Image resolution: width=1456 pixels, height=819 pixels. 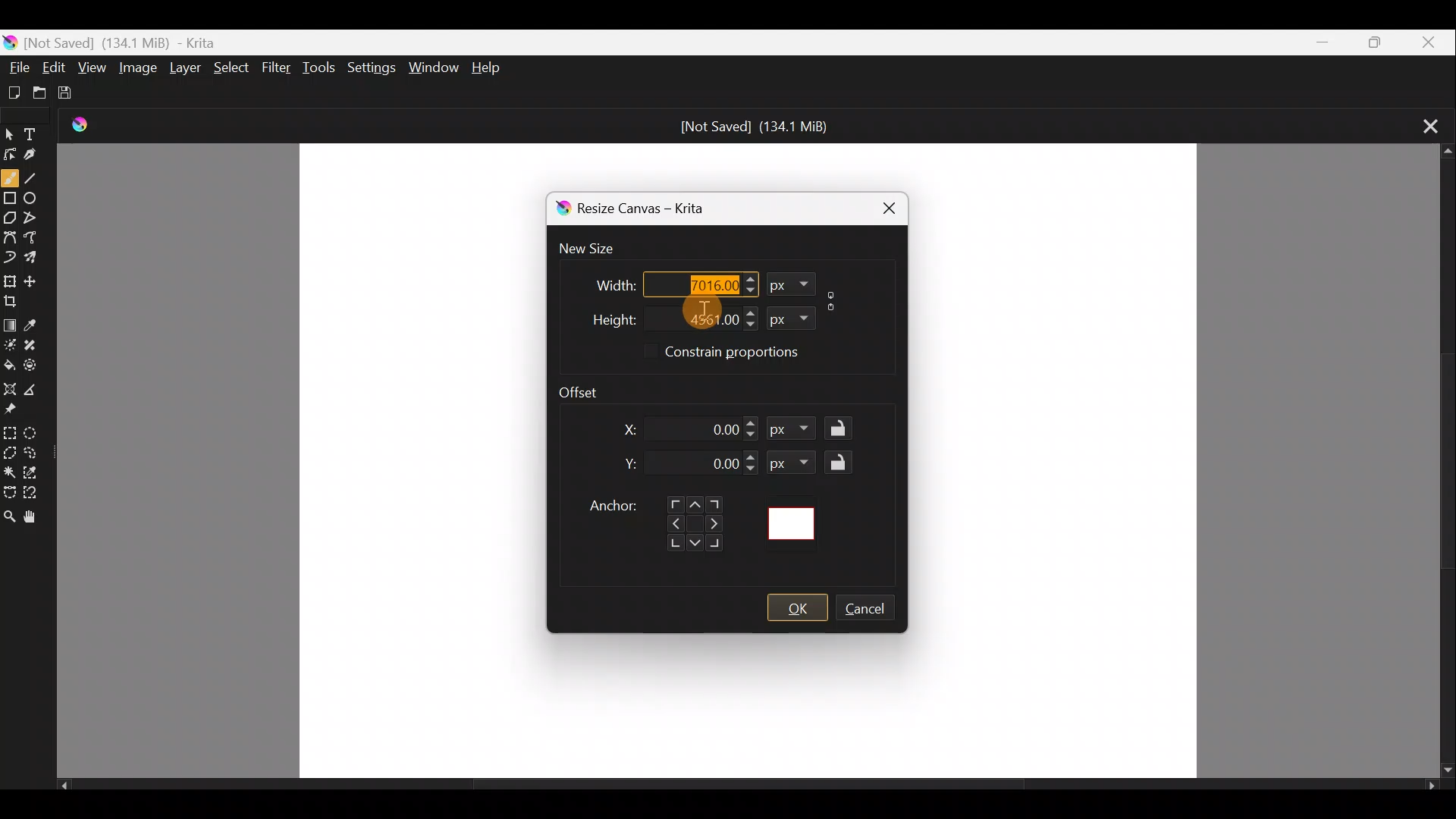 What do you see at coordinates (36, 435) in the screenshot?
I see `Elliptical selection tool` at bounding box center [36, 435].